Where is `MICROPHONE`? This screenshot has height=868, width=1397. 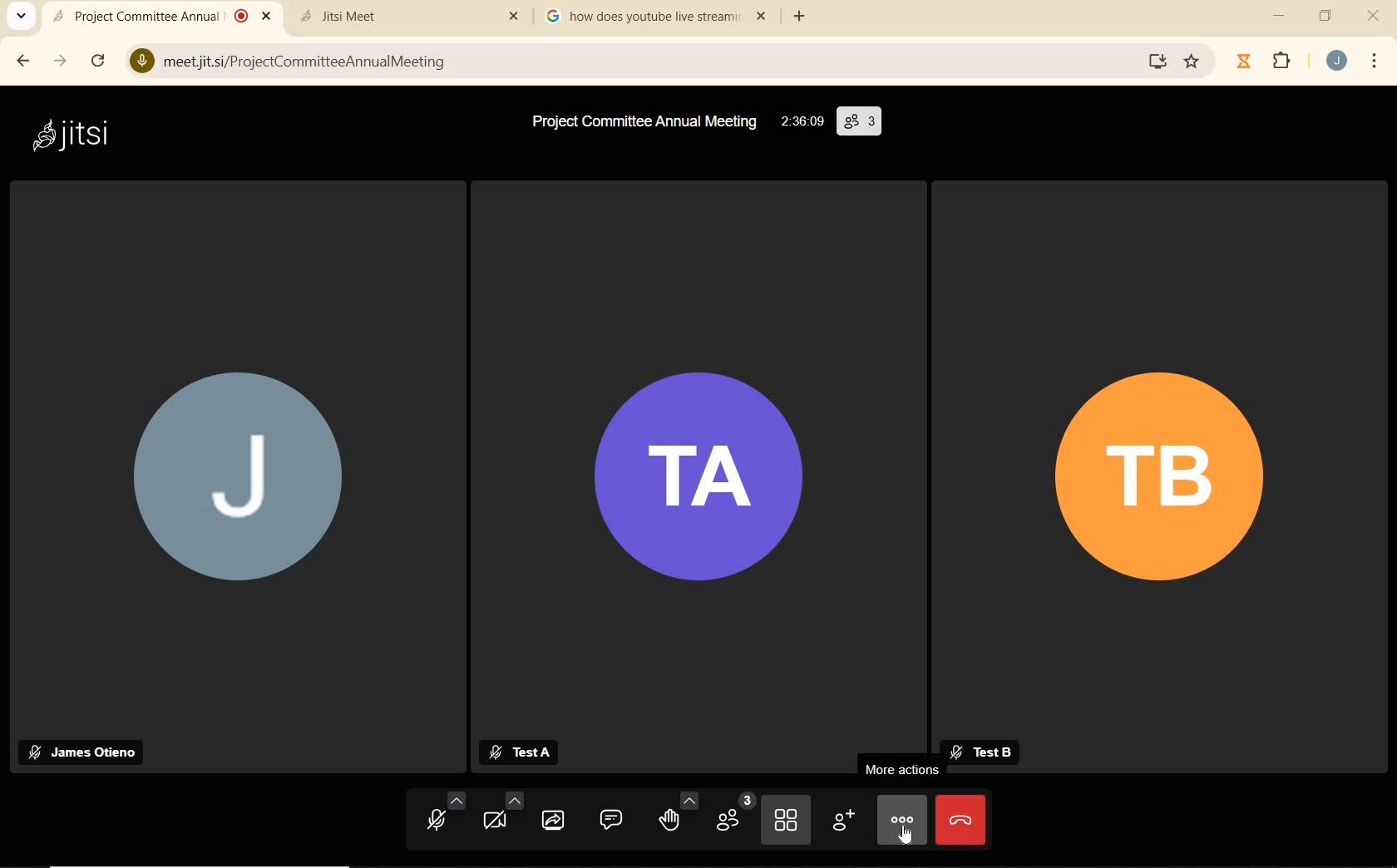 MICROPHONE is located at coordinates (443, 816).